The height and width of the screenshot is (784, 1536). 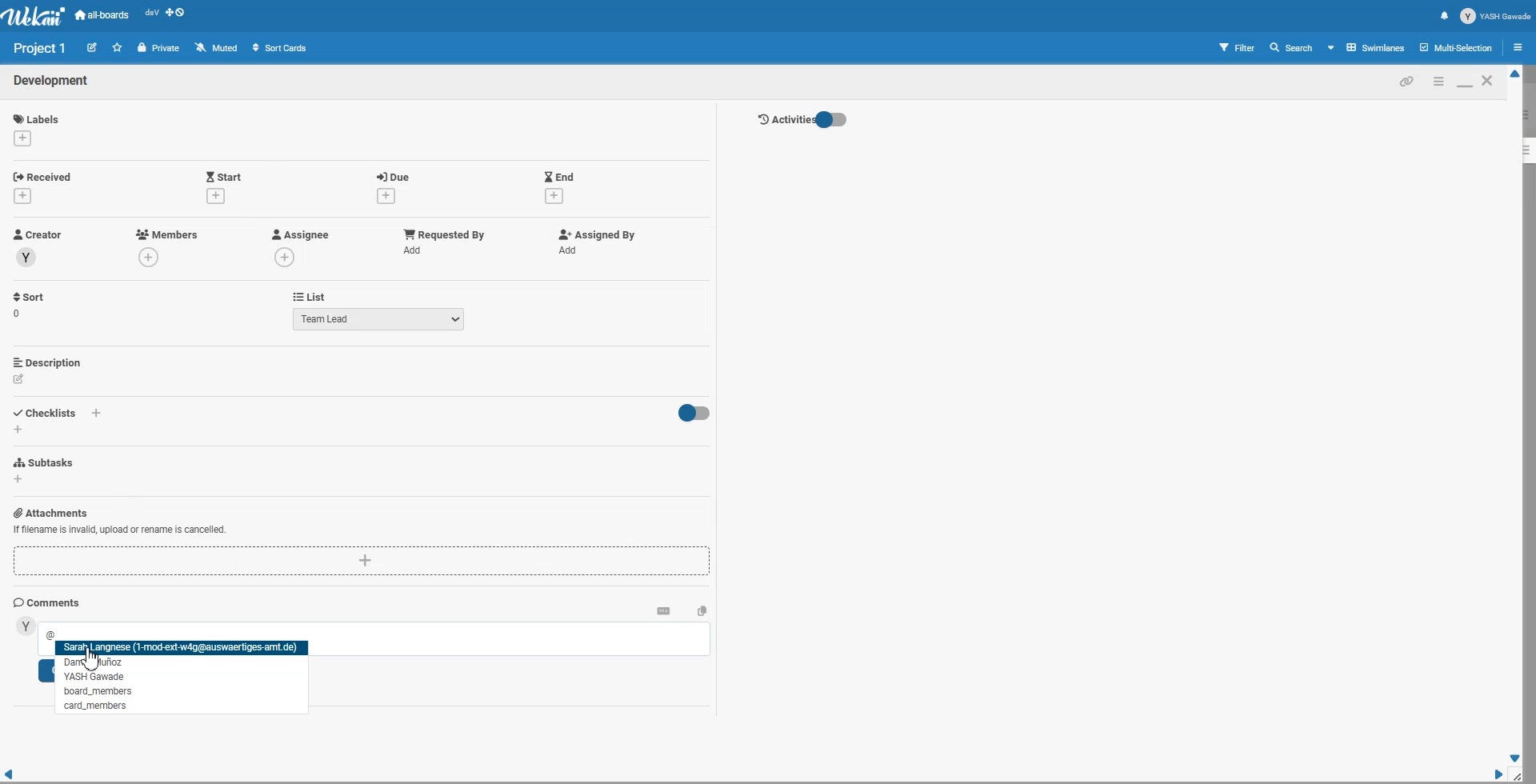 I want to click on Recent open file, so click(x=151, y=15).